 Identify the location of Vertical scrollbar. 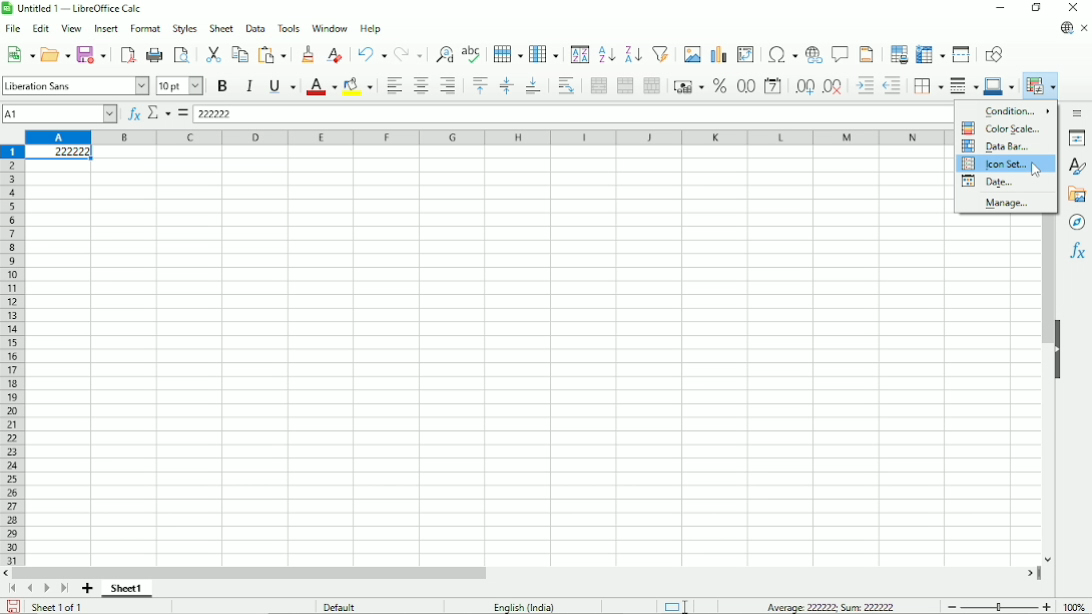
(1045, 280).